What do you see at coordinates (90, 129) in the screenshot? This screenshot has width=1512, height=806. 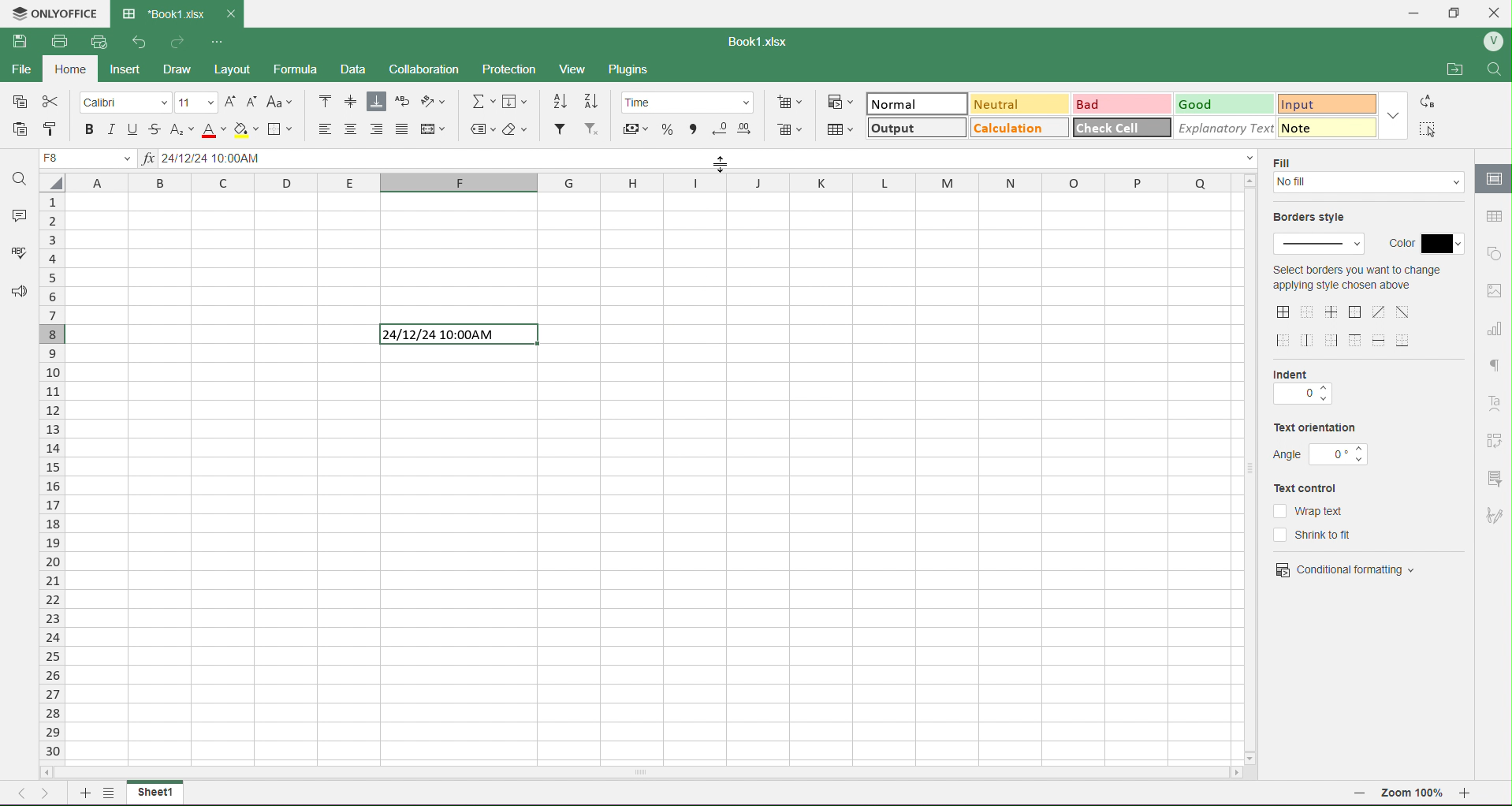 I see `Bold` at bounding box center [90, 129].